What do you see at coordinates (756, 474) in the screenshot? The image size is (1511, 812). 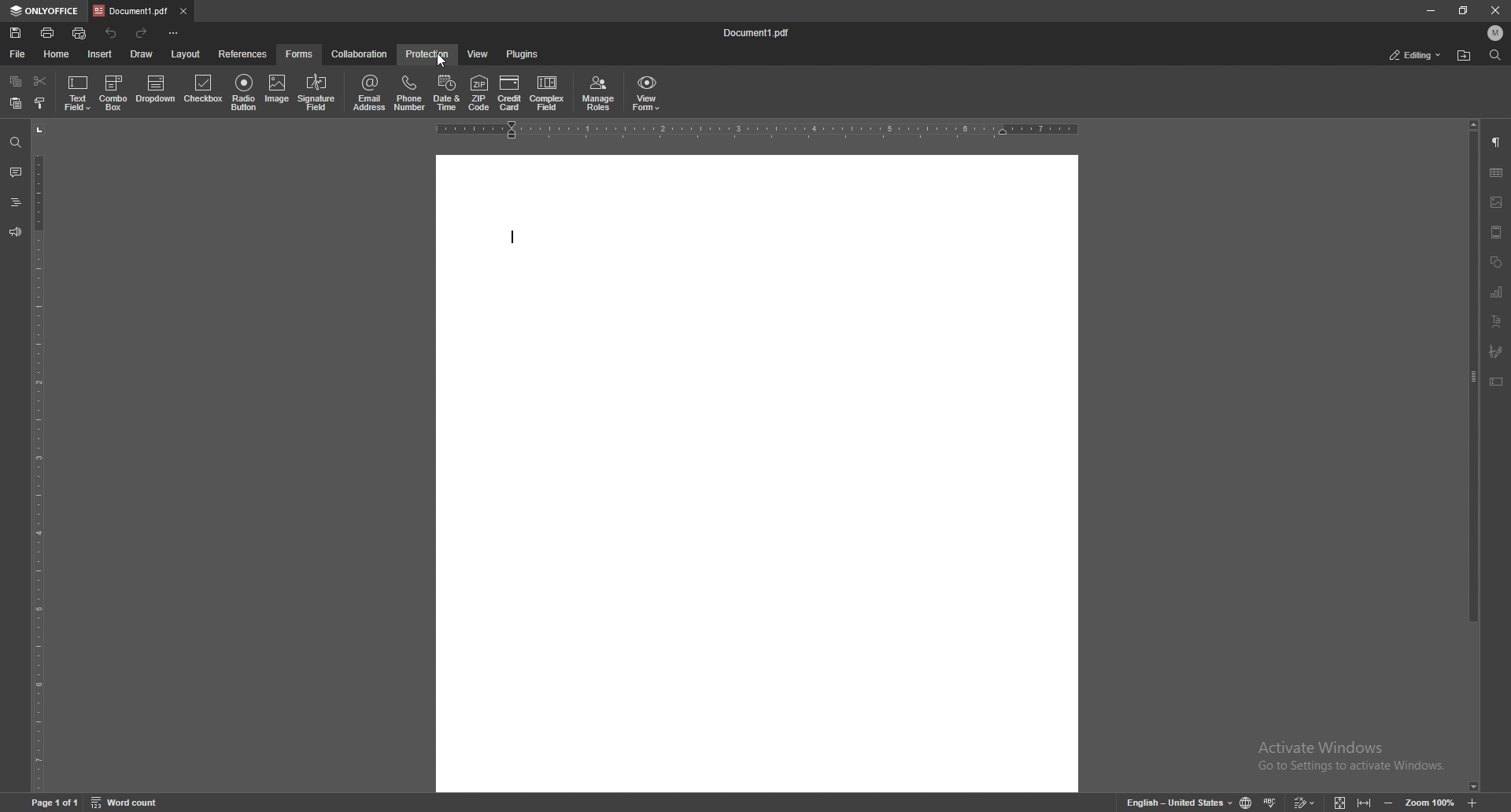 I see `document` at bounding box center [756, 474].